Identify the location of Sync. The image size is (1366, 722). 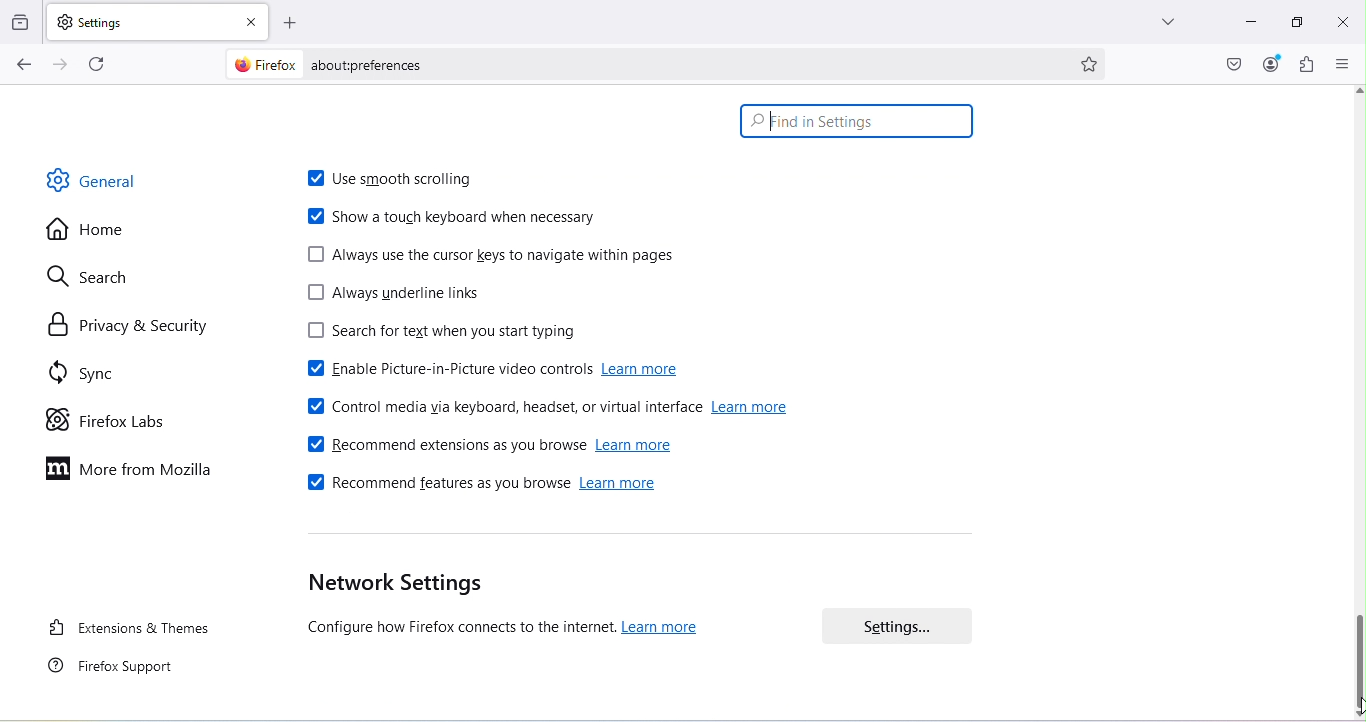
(80, 367).